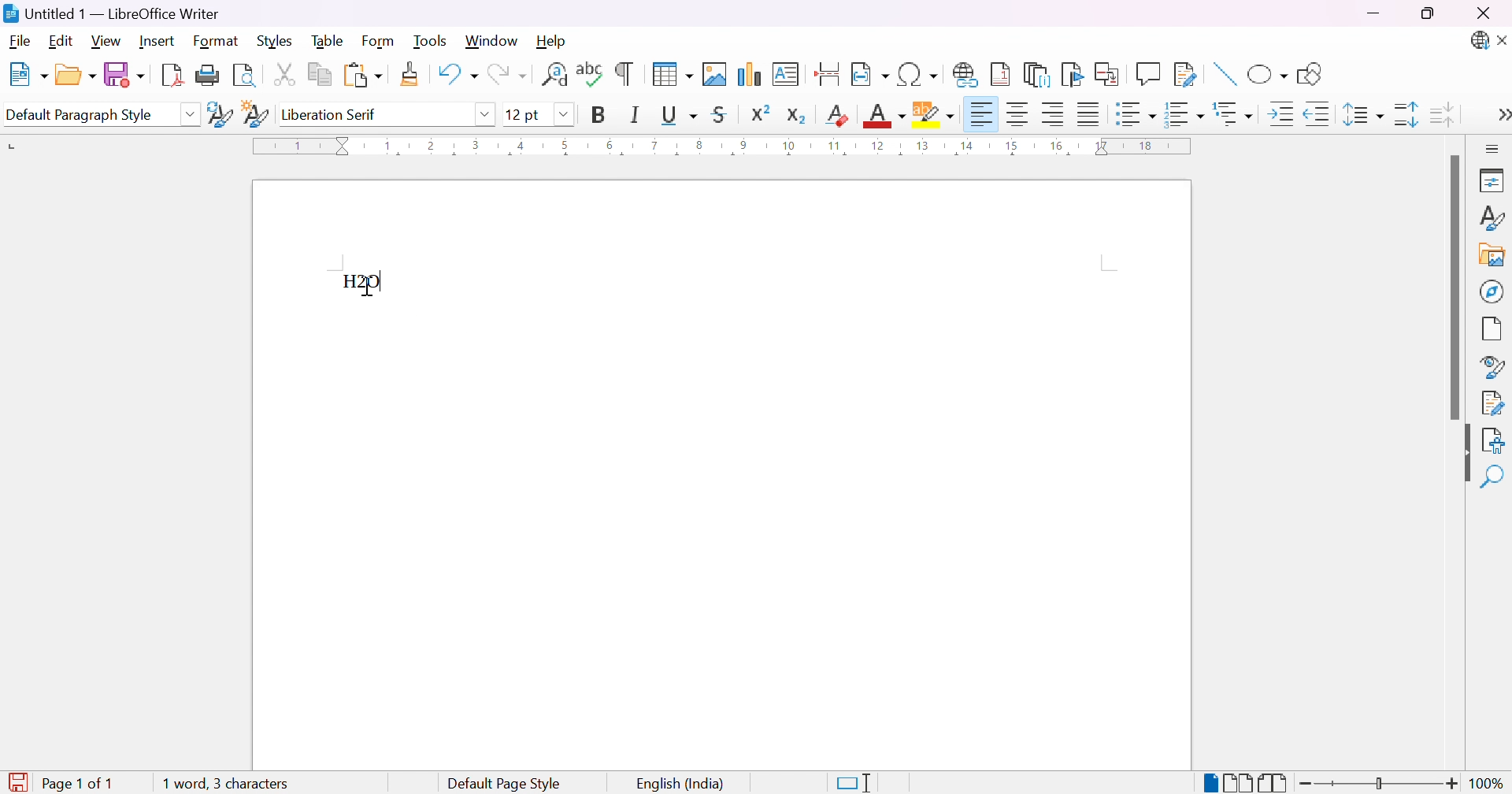  What do you see at coordinates (1318, 117) in the screenshot?
I see `Decrease indent` at bounding box center [1318, 117].